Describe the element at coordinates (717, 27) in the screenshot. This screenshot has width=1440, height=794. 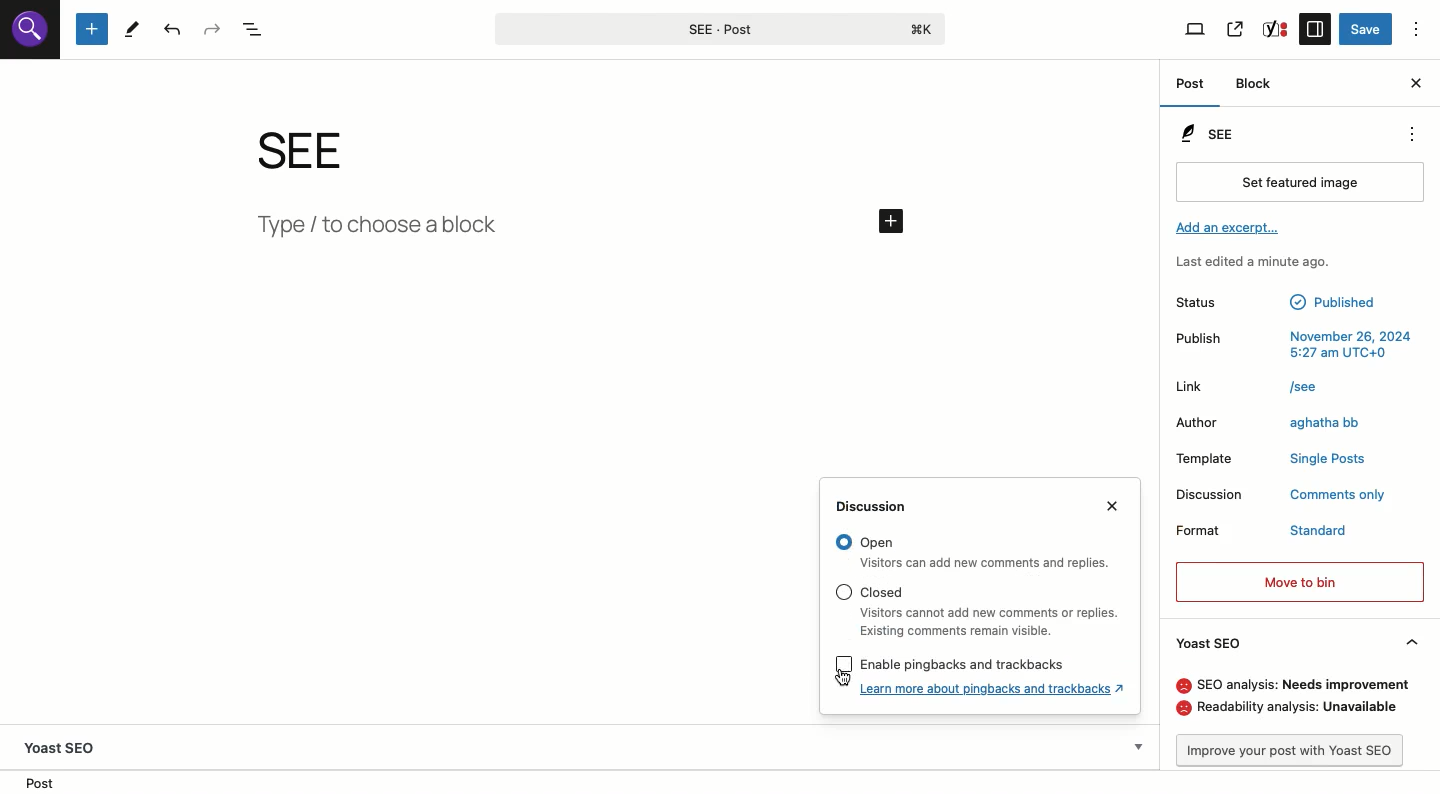
I see `SEE-Post` at that location.